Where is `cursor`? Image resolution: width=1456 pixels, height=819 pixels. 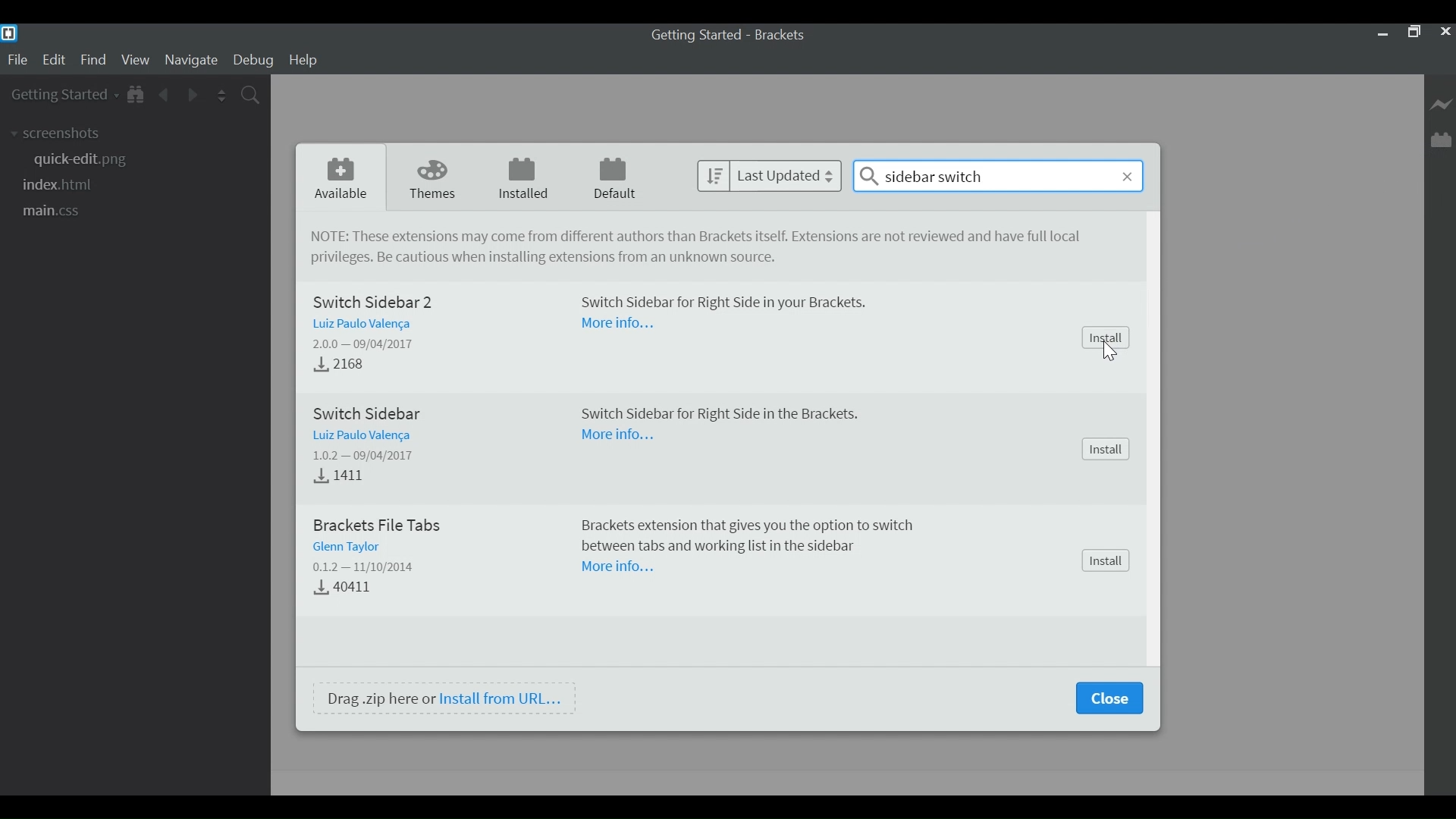
cursor is located at coordinates (1109, 352).